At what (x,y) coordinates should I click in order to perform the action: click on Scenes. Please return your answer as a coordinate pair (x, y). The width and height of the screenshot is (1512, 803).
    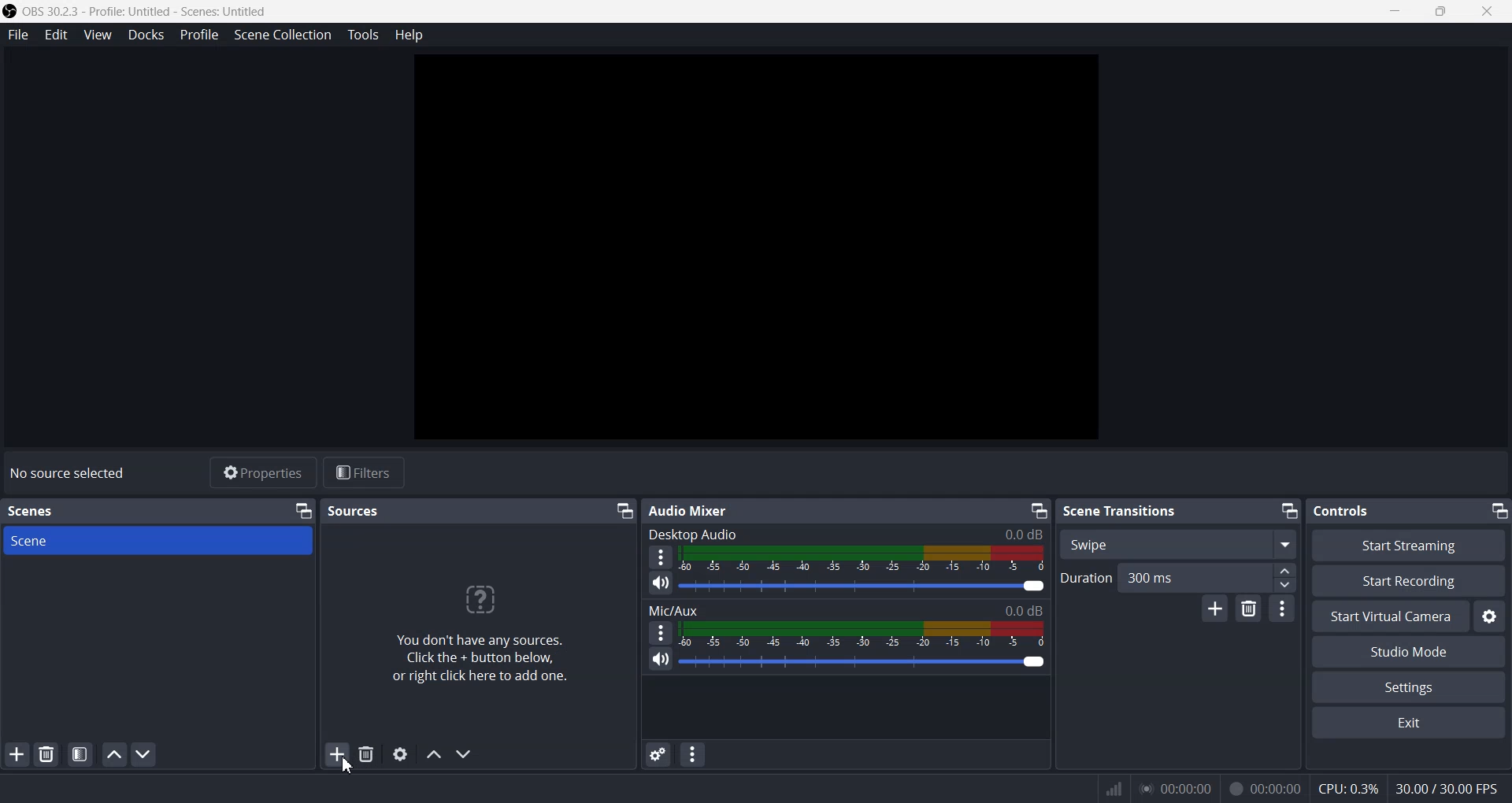
    Looking at the image, I should click on (31, 511).